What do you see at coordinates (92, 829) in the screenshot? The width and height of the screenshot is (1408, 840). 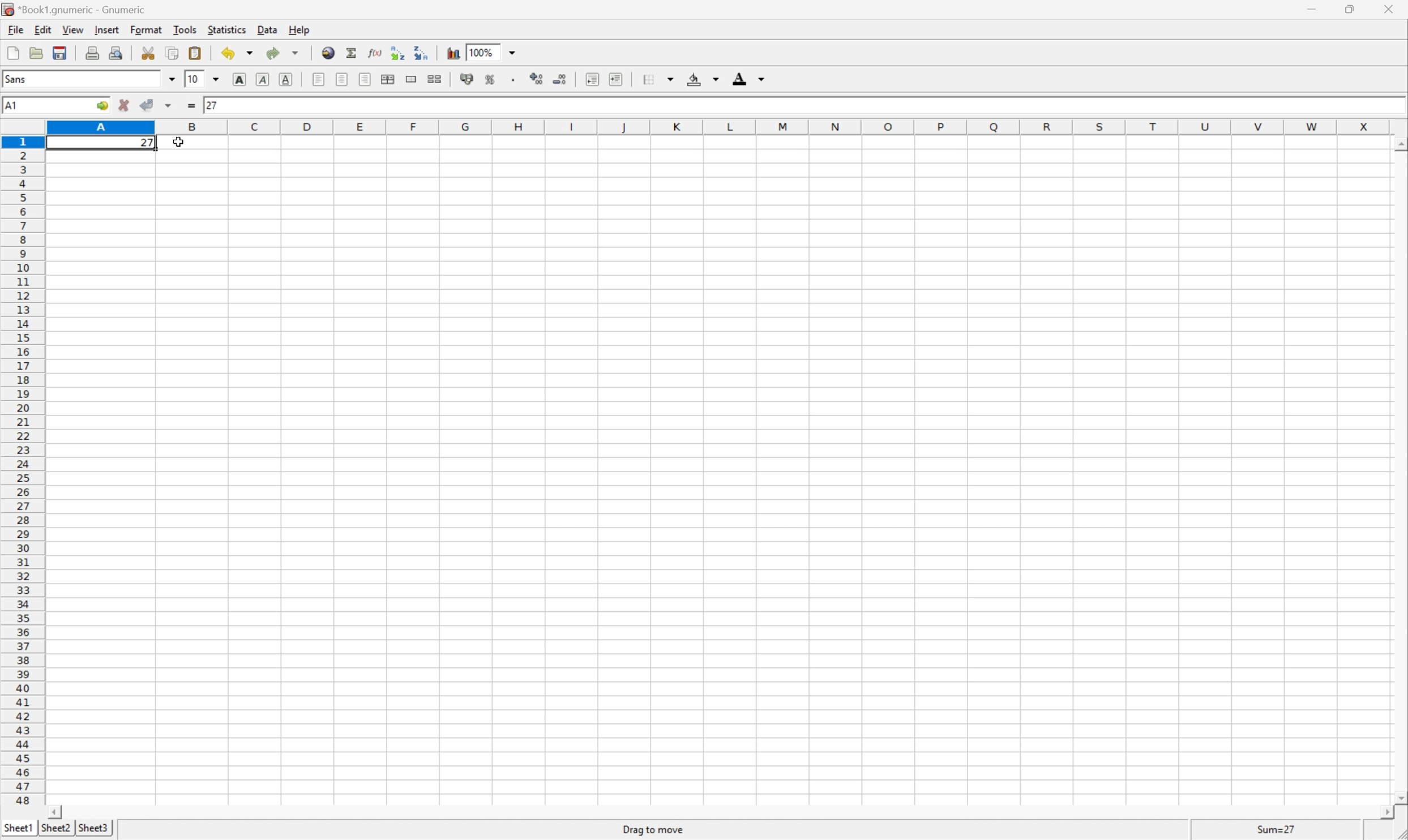 I see `Sheet3` at bounding box center [92, 829].